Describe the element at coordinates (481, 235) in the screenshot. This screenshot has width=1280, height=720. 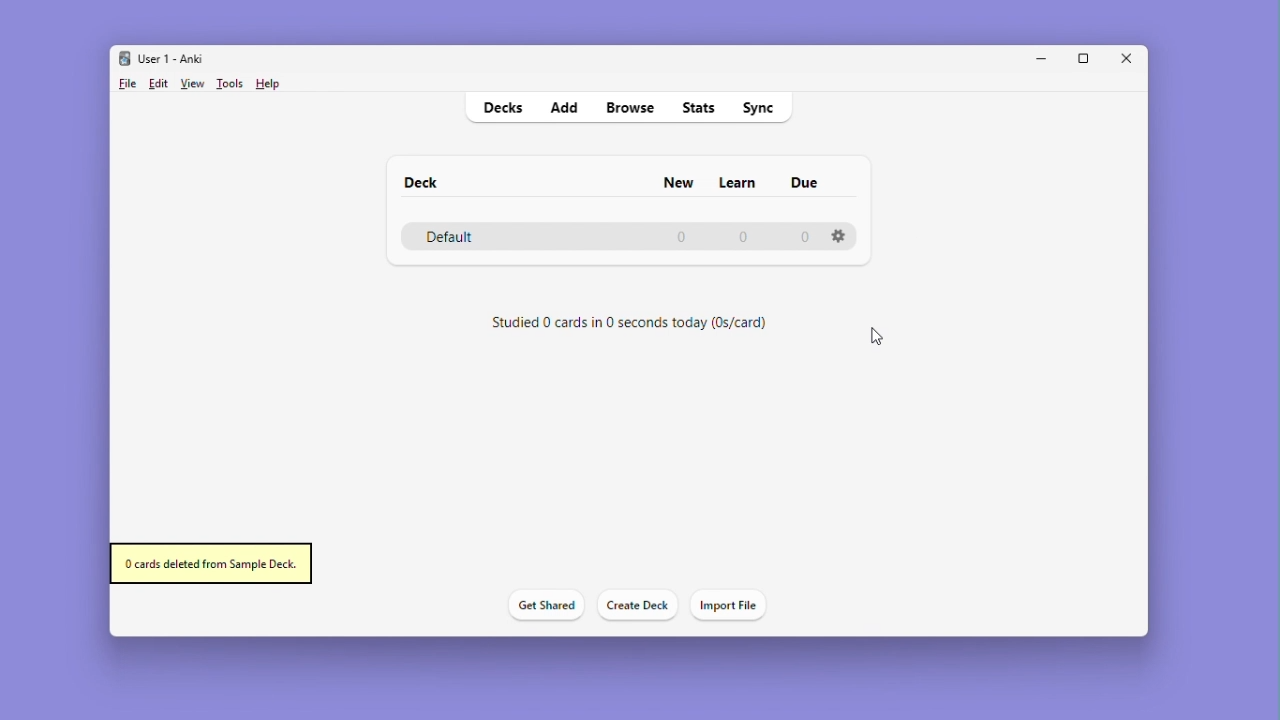
I see `Default` at that location.